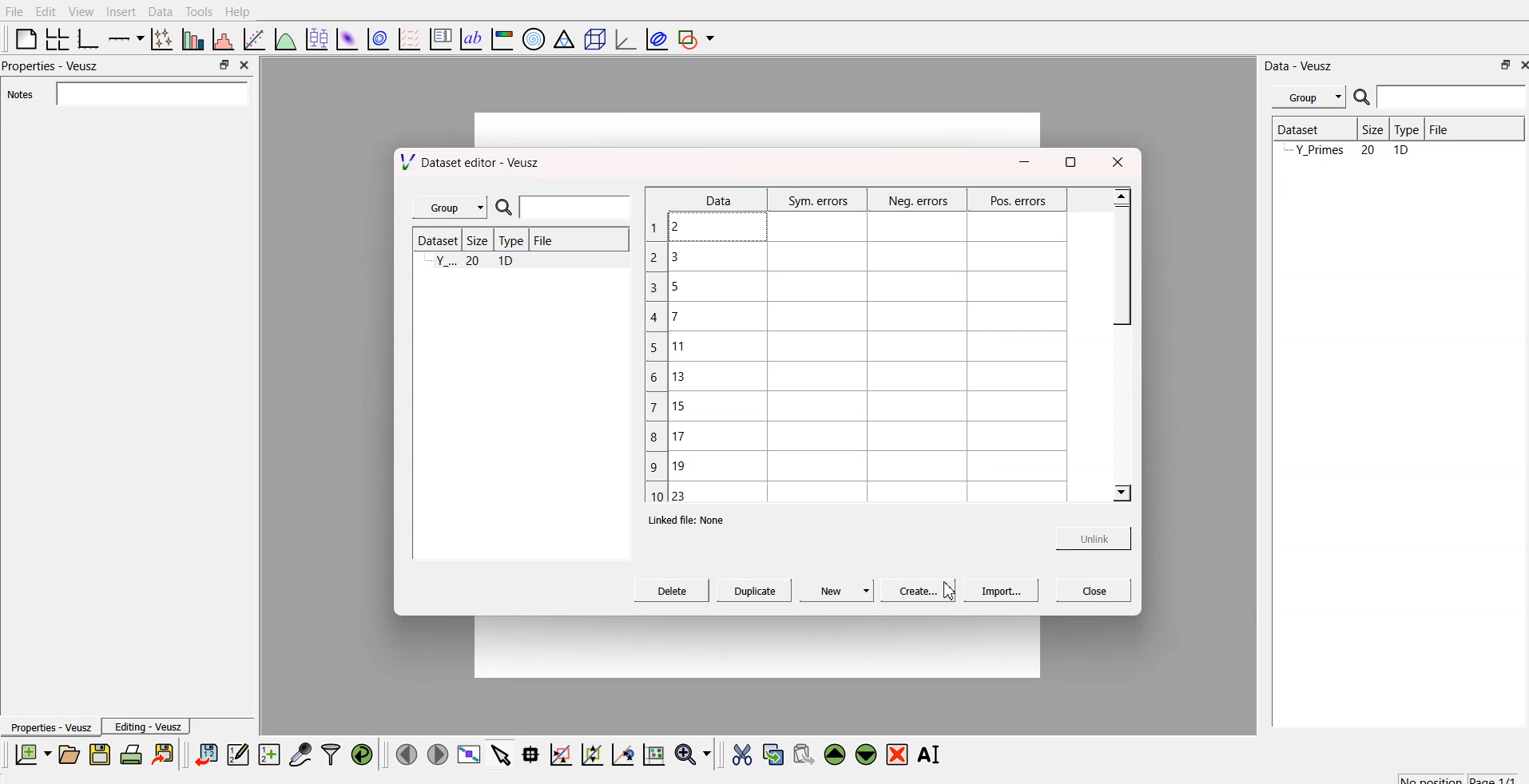 The width and height of the screenshot is (1529, 784). What do you see at coordinates (1089, 591) in the screenshot?
I see `close` at bounding box center [1089, 591].